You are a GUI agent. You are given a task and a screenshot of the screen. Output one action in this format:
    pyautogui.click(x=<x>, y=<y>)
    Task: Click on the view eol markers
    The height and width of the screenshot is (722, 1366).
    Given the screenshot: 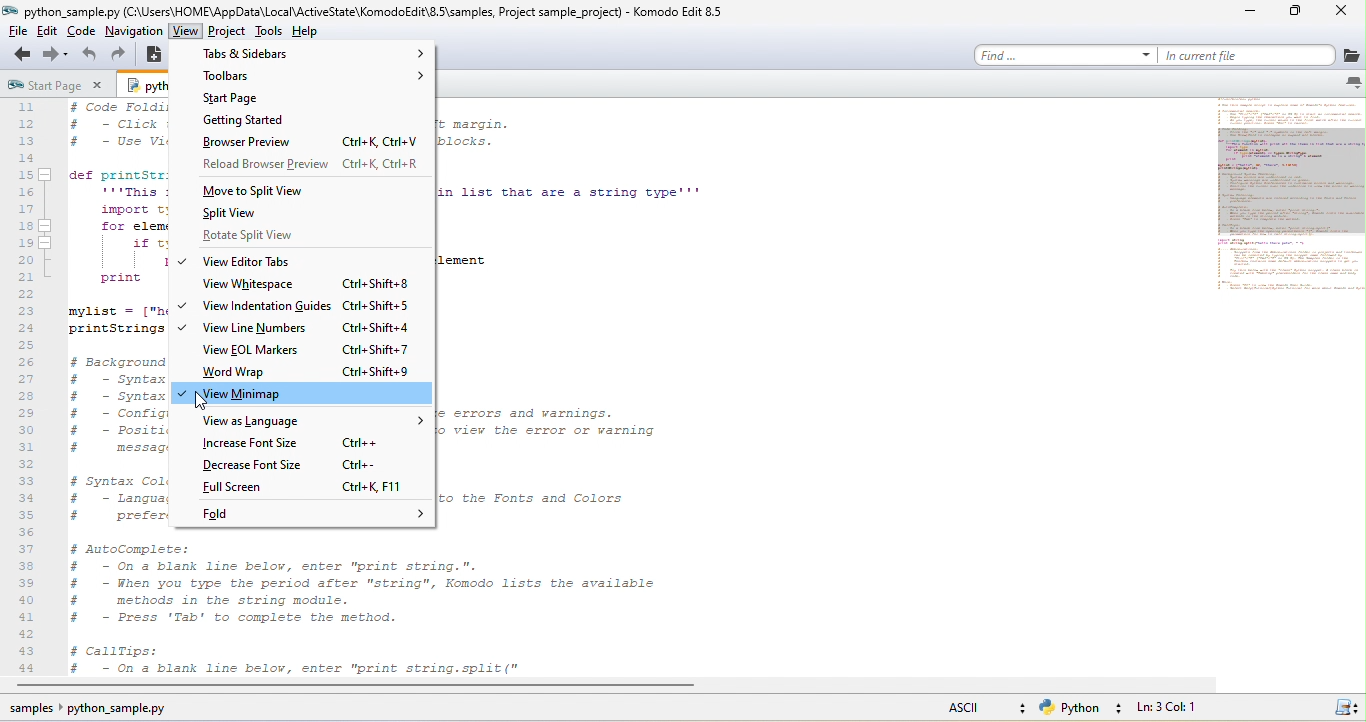 What is the action you would take?
    pyautogui.click(x=309, y=350)
    